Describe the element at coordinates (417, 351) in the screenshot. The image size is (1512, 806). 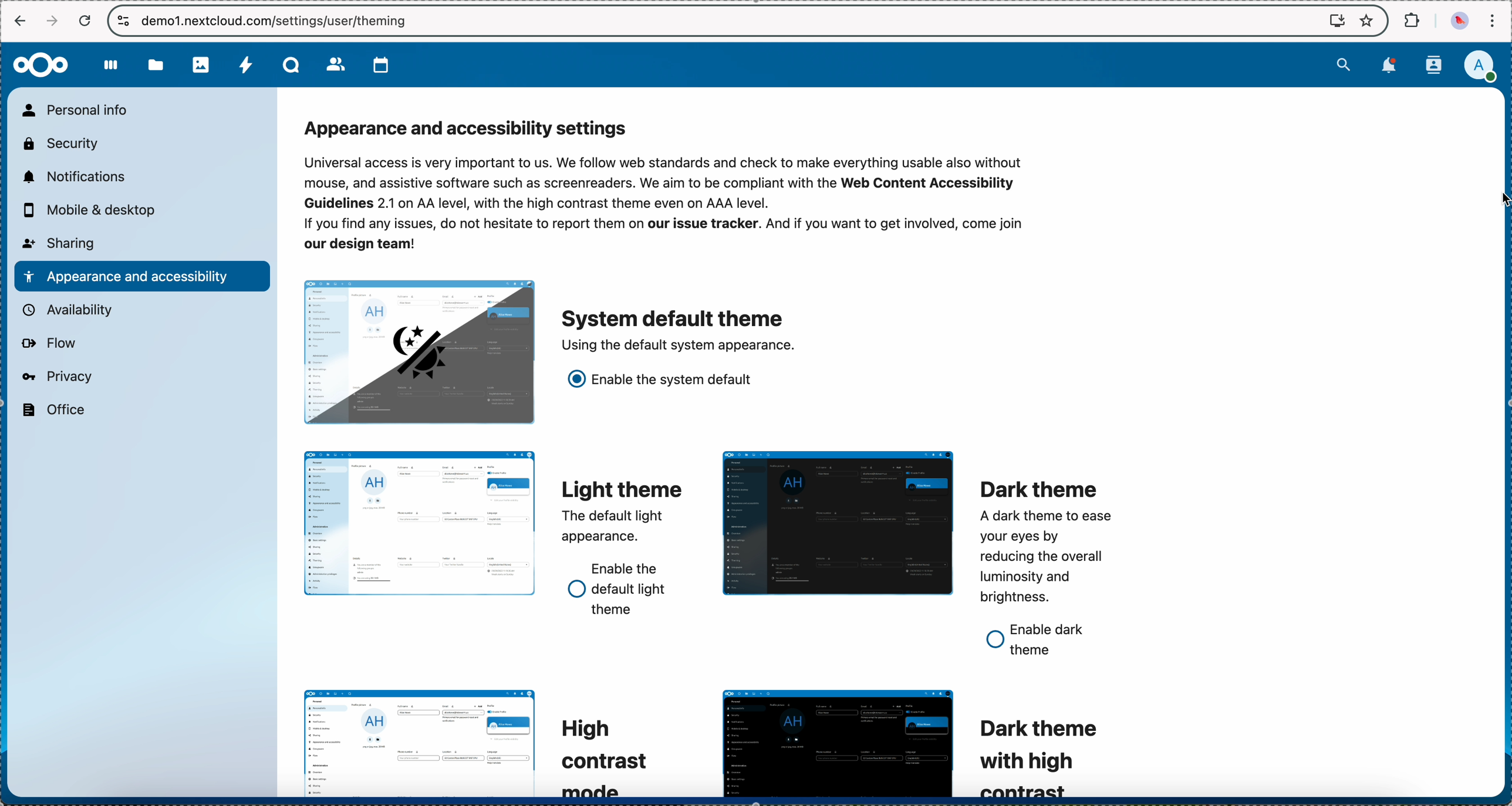
I see `system default theme preview` at that location.